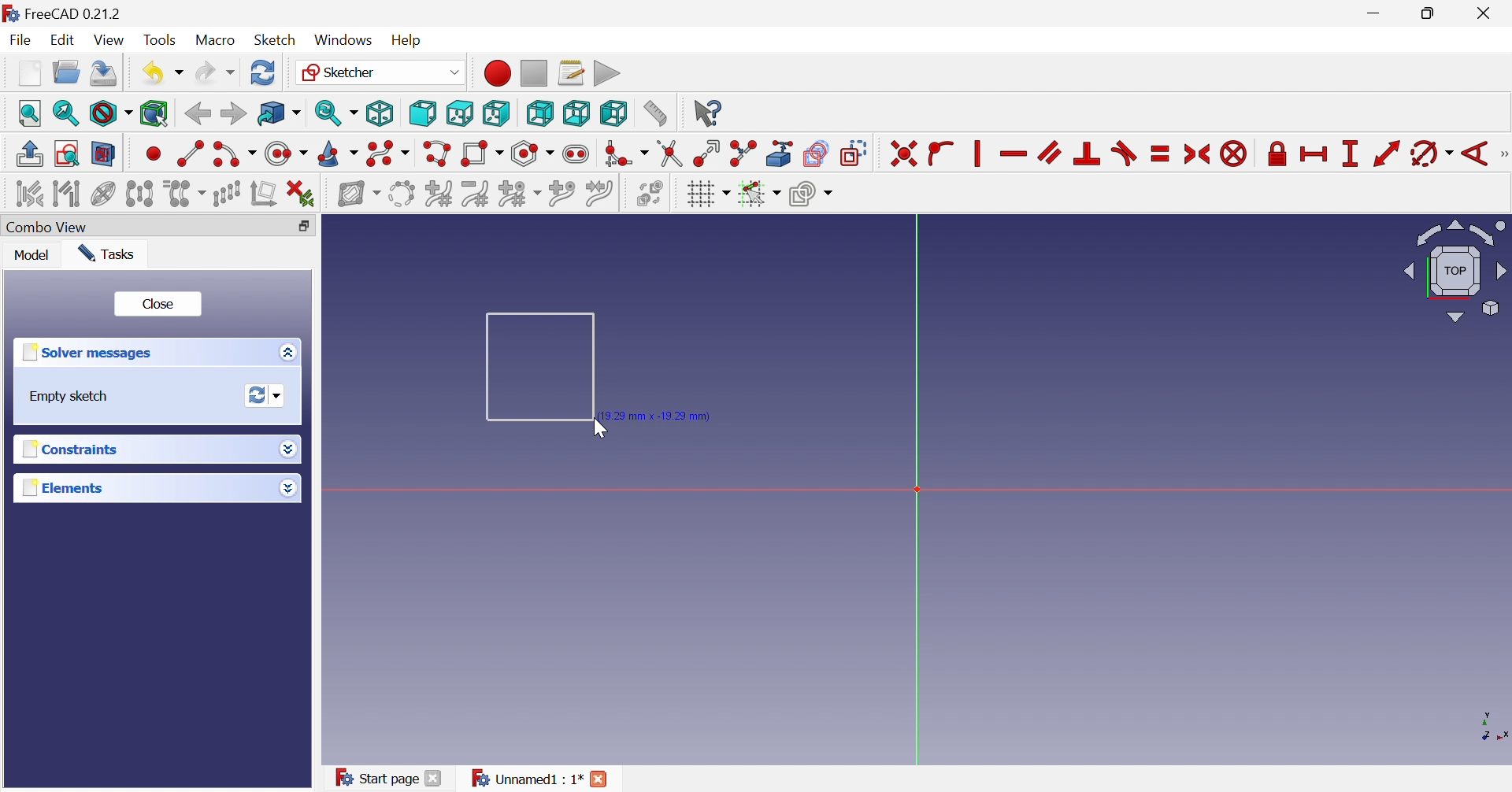 The image size is (1512, 792). Describe the element at coordinates (1432, 154) in the screenshot. I see `Constrain arc or angle` at that location.